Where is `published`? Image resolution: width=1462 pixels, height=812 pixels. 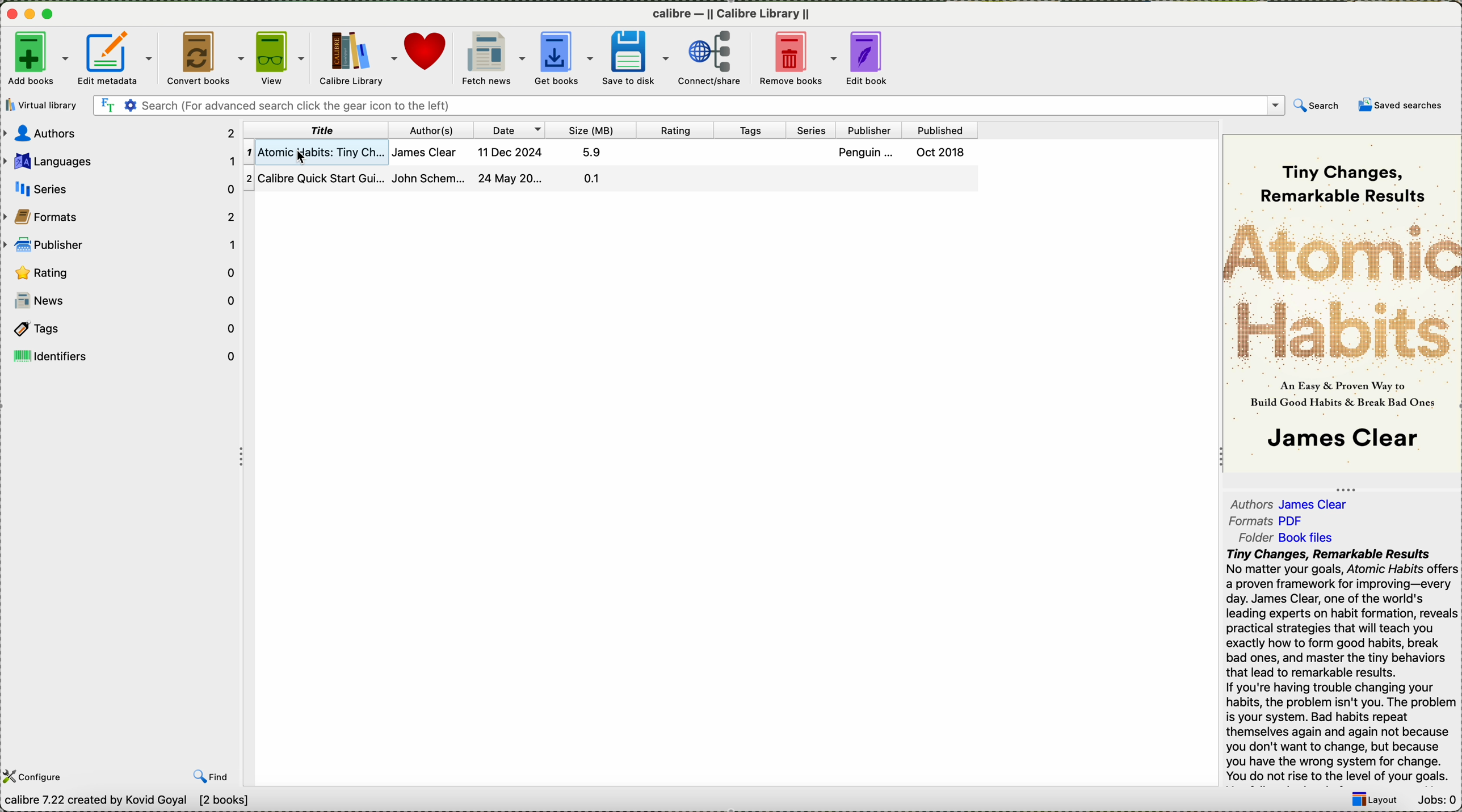 published is located at coordinates (939, 131).